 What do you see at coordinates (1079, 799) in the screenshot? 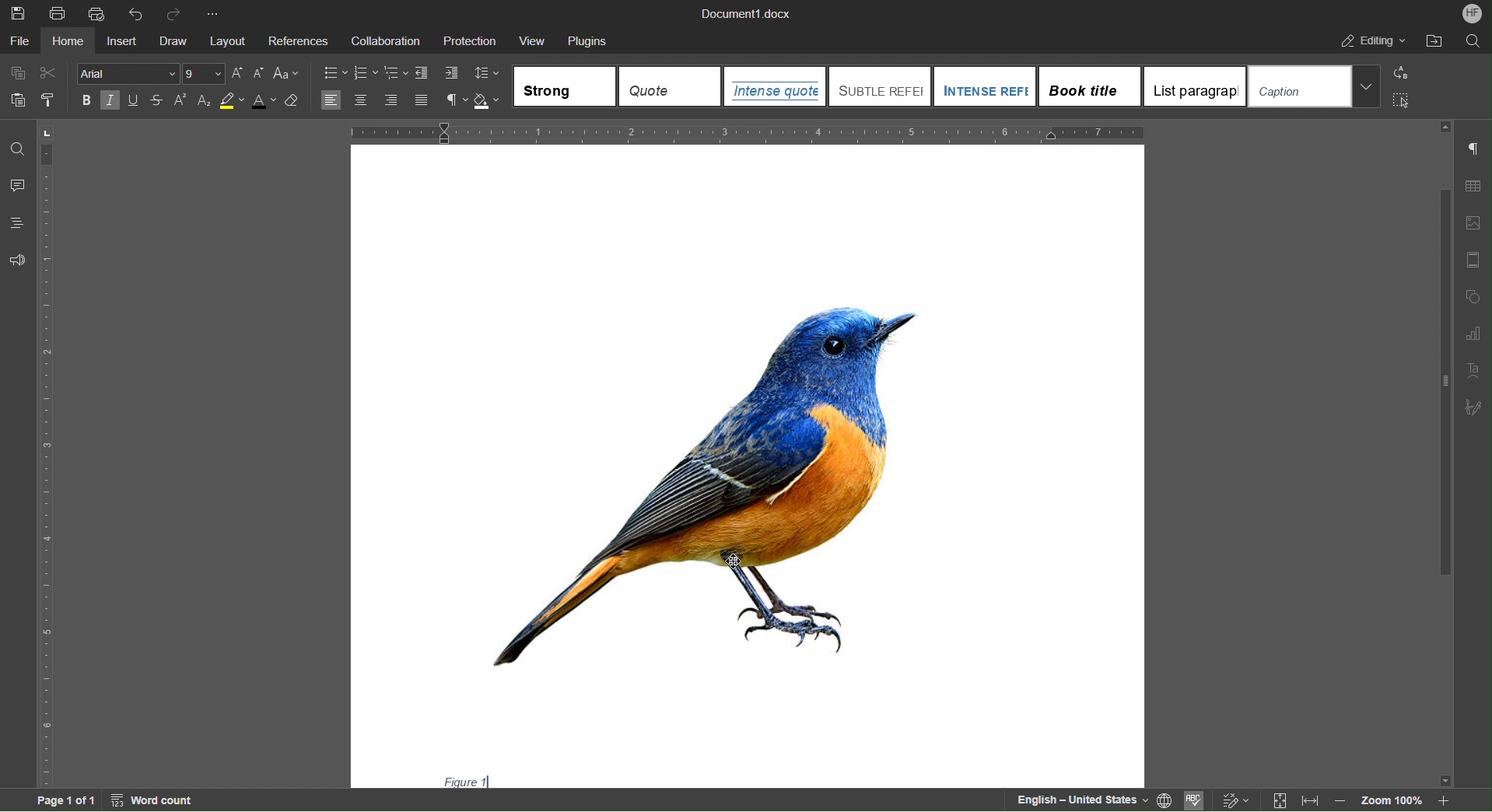
I see `English — United States` at bounding box center [1079, 799].